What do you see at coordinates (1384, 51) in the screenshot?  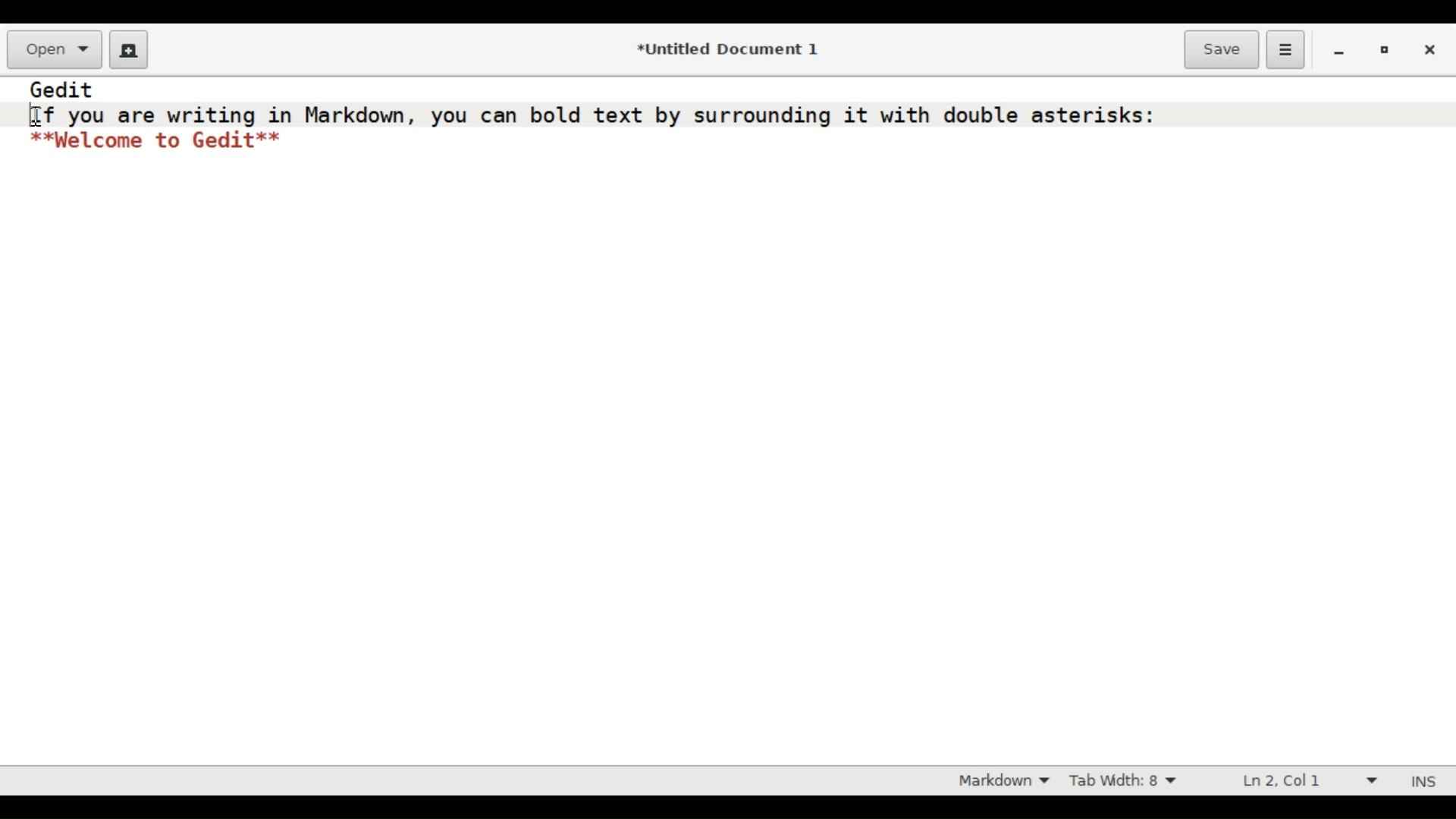 I see `Restore` at bounding box center [1384, 51].